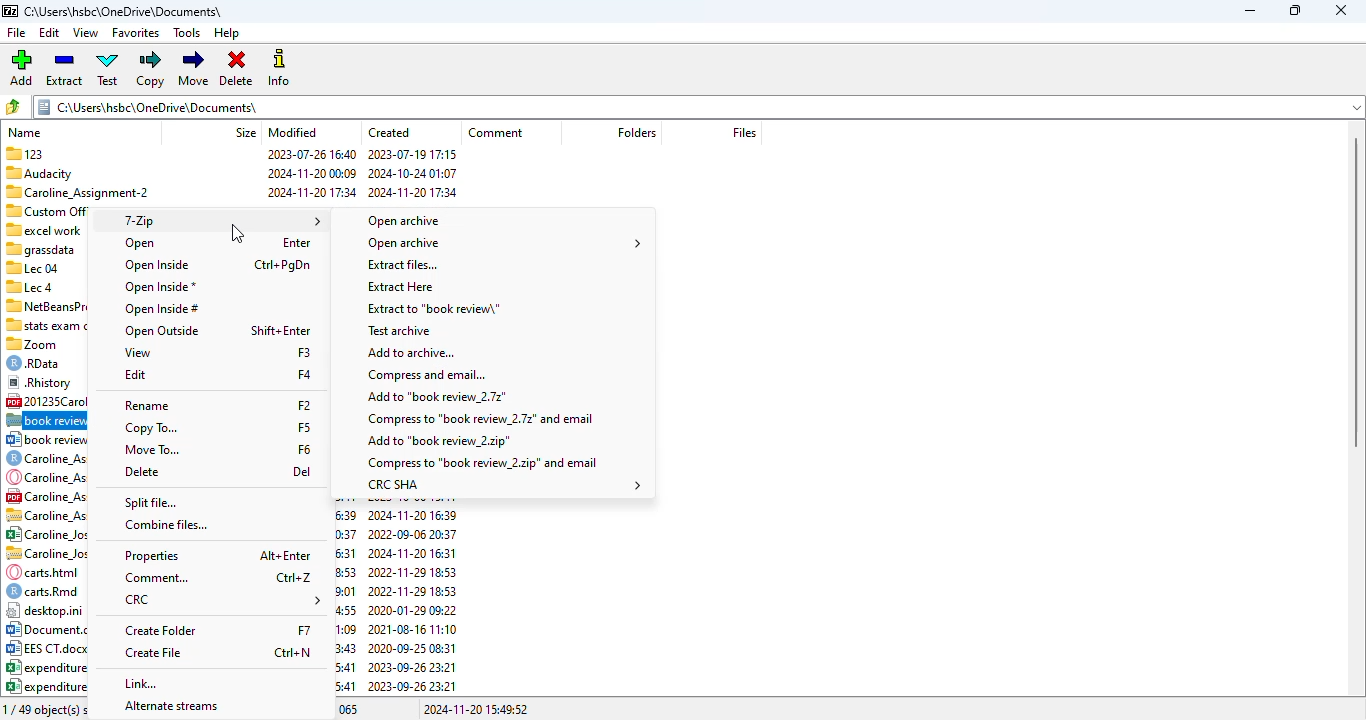 The height and width of the screenshot is (720, 1366). Describe the element at coordinates (64, 68) in the screenshot. I see `extract` at that location.